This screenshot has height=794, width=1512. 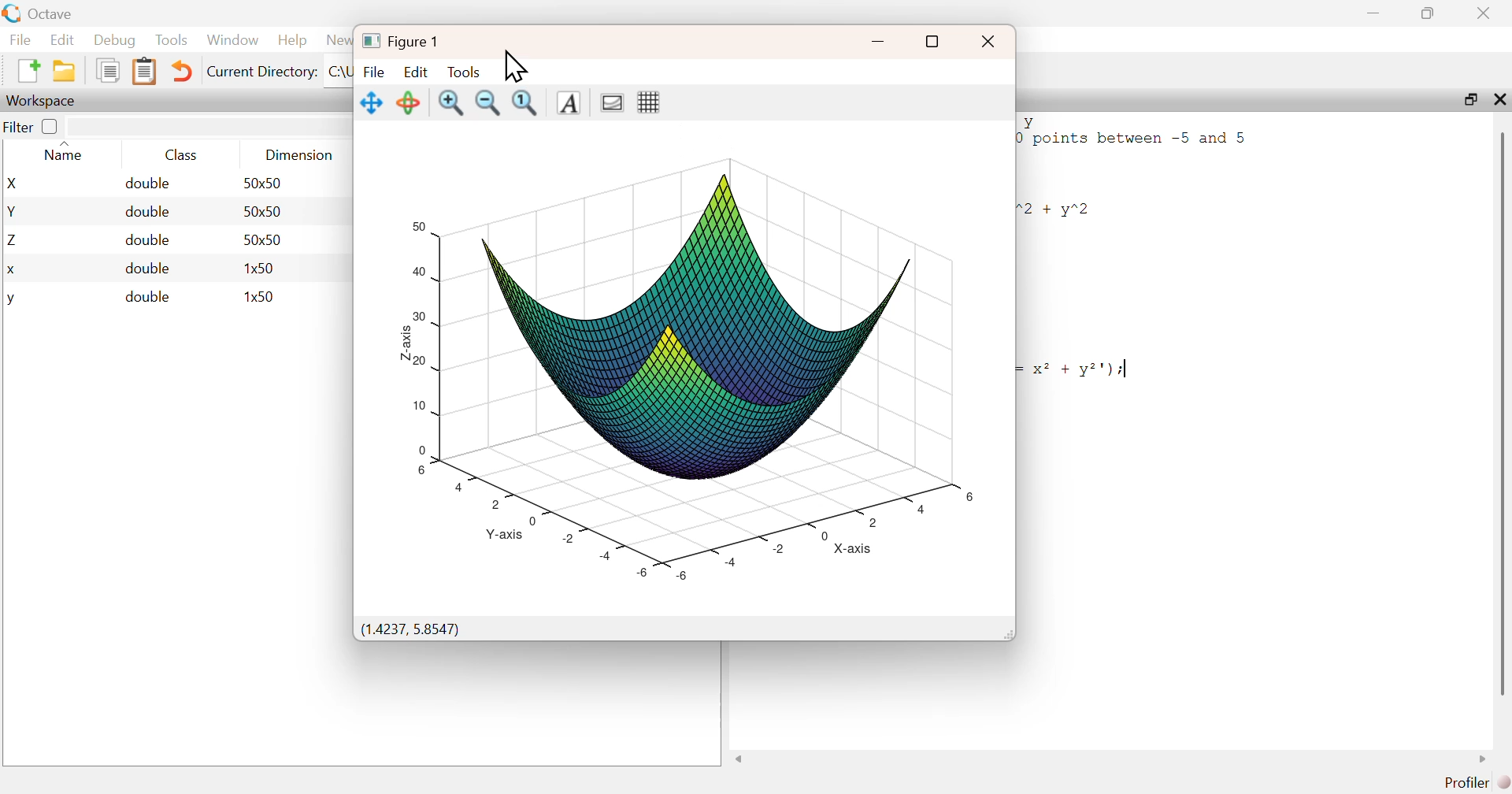 I want to click on double, so click(x=147, y=212).